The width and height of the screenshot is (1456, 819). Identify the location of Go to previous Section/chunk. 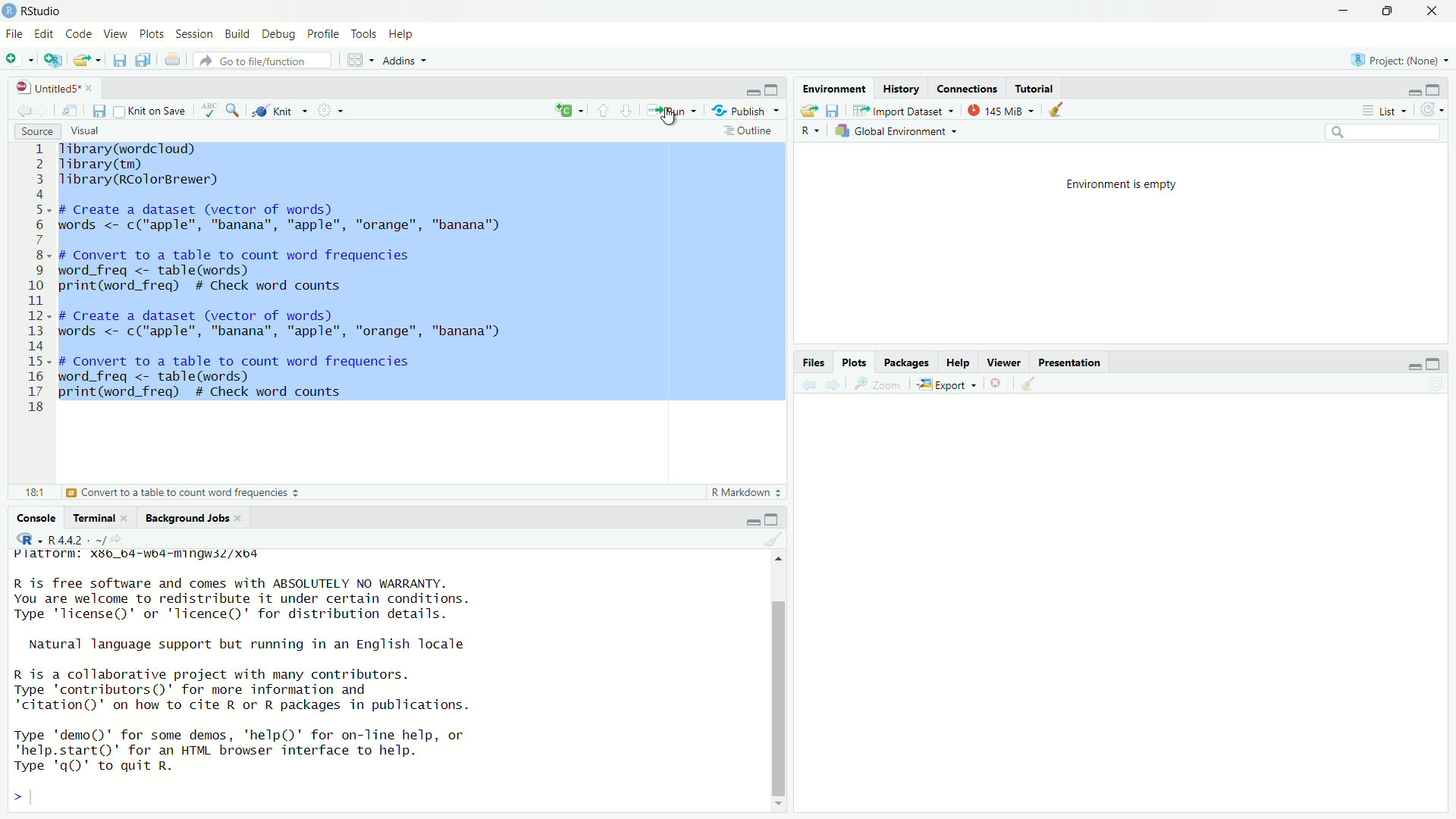
(605, 112).